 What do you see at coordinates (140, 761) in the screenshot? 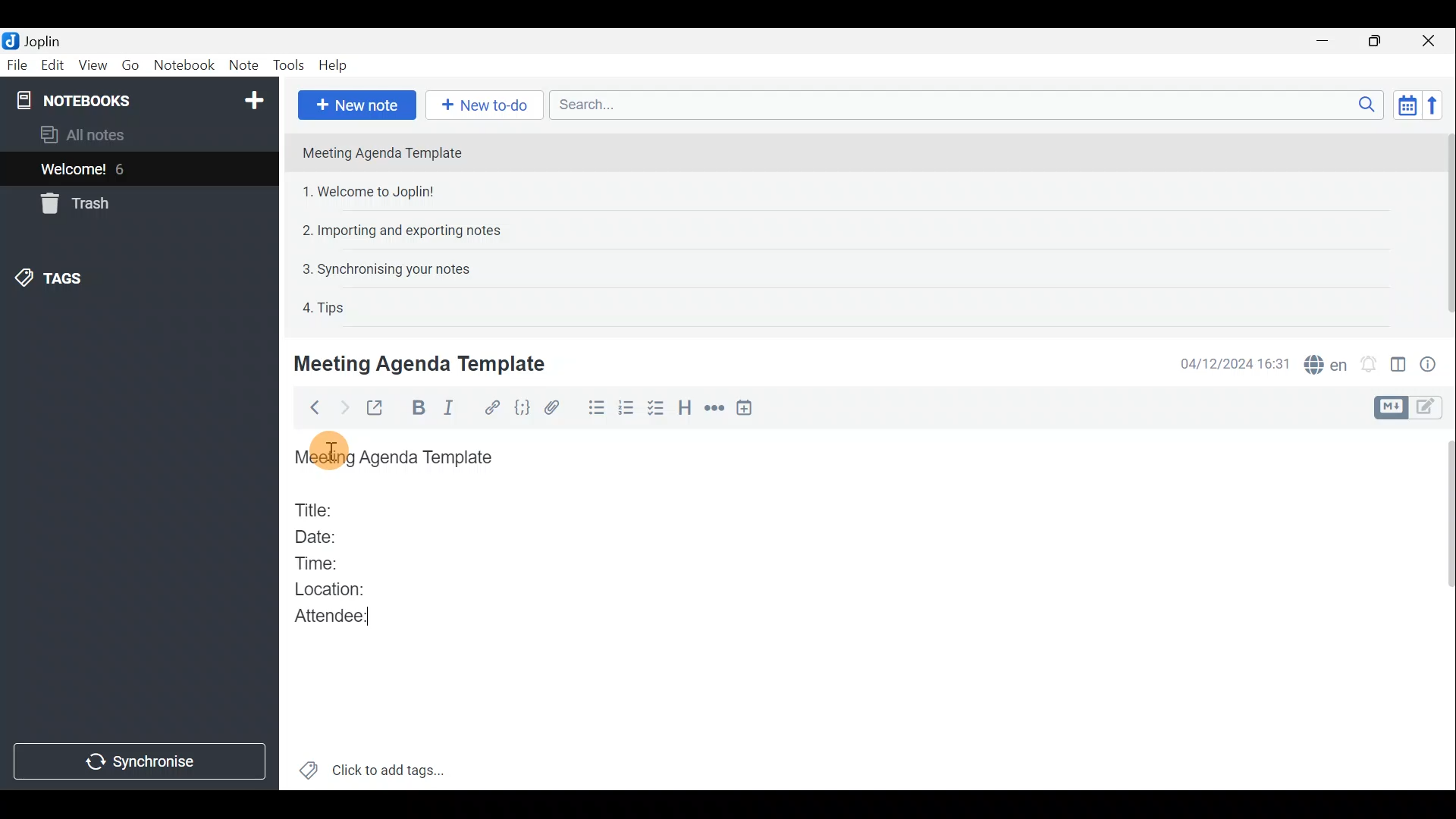
I see `Synchronise` at bounding box center [140, 761].